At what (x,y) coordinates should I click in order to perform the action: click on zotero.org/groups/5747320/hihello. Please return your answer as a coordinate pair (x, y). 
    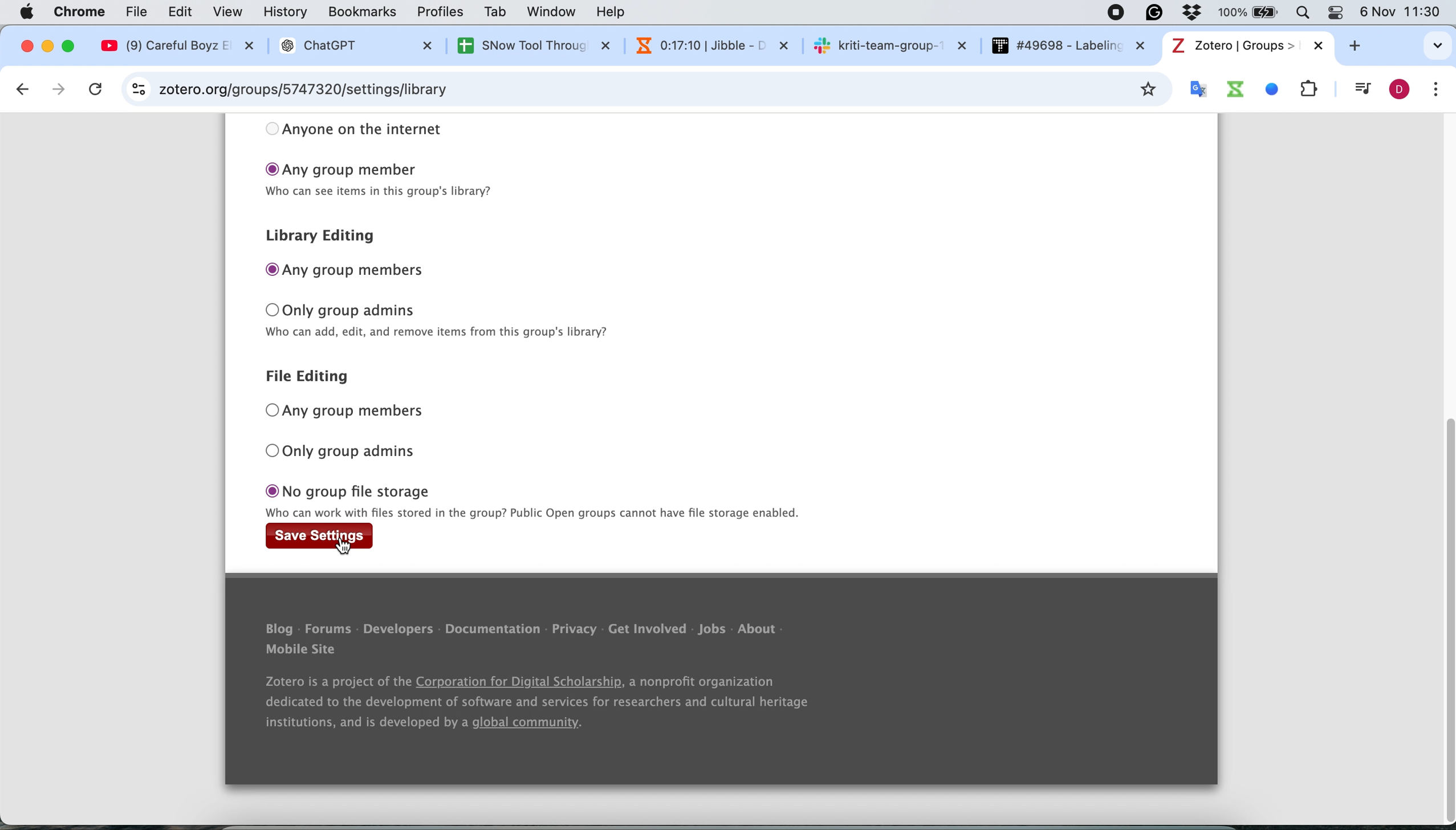
    Looking at the image, I should click on (320, 90).